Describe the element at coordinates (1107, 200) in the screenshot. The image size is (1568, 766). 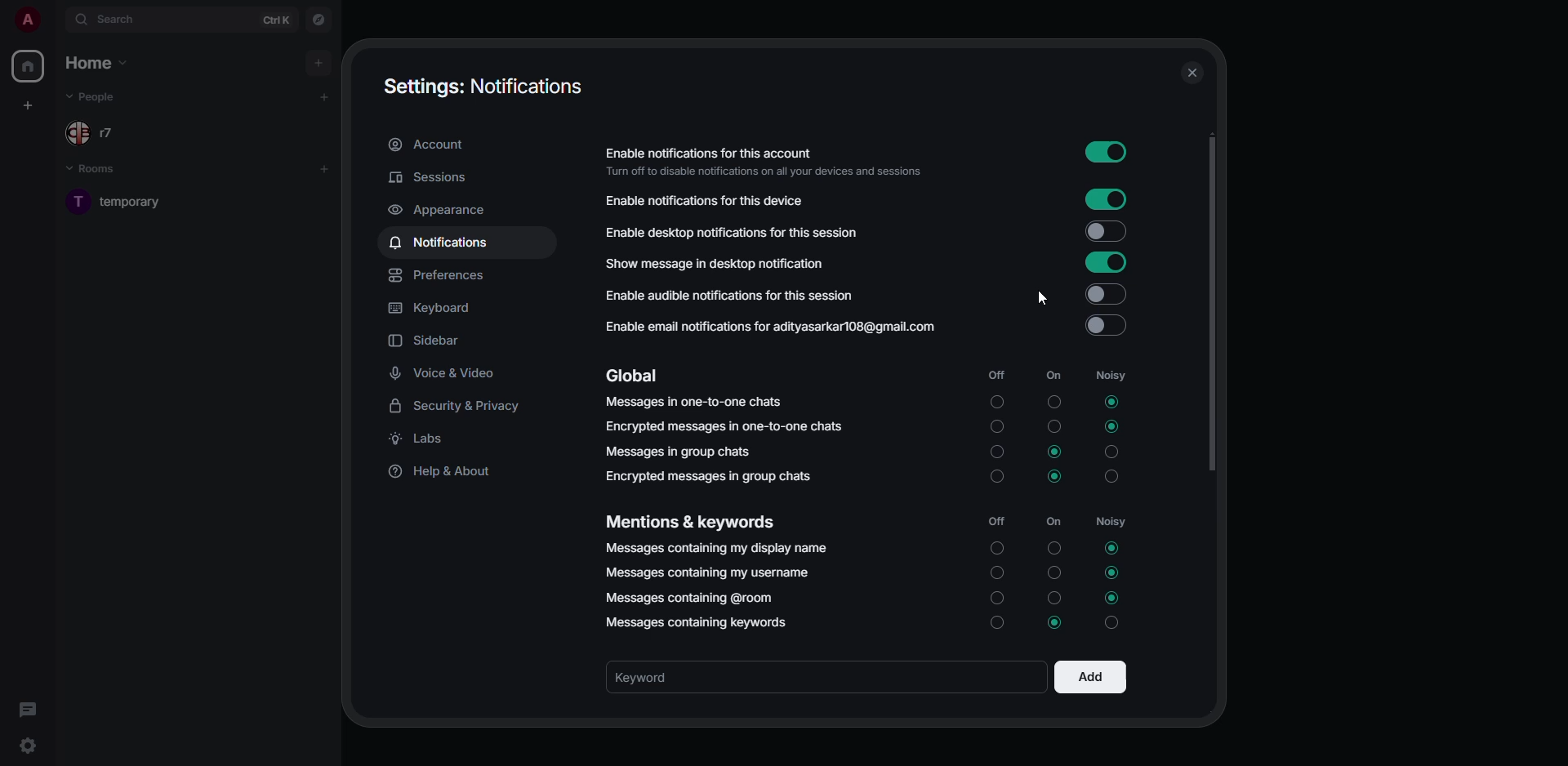
I see `enabled` at that location.